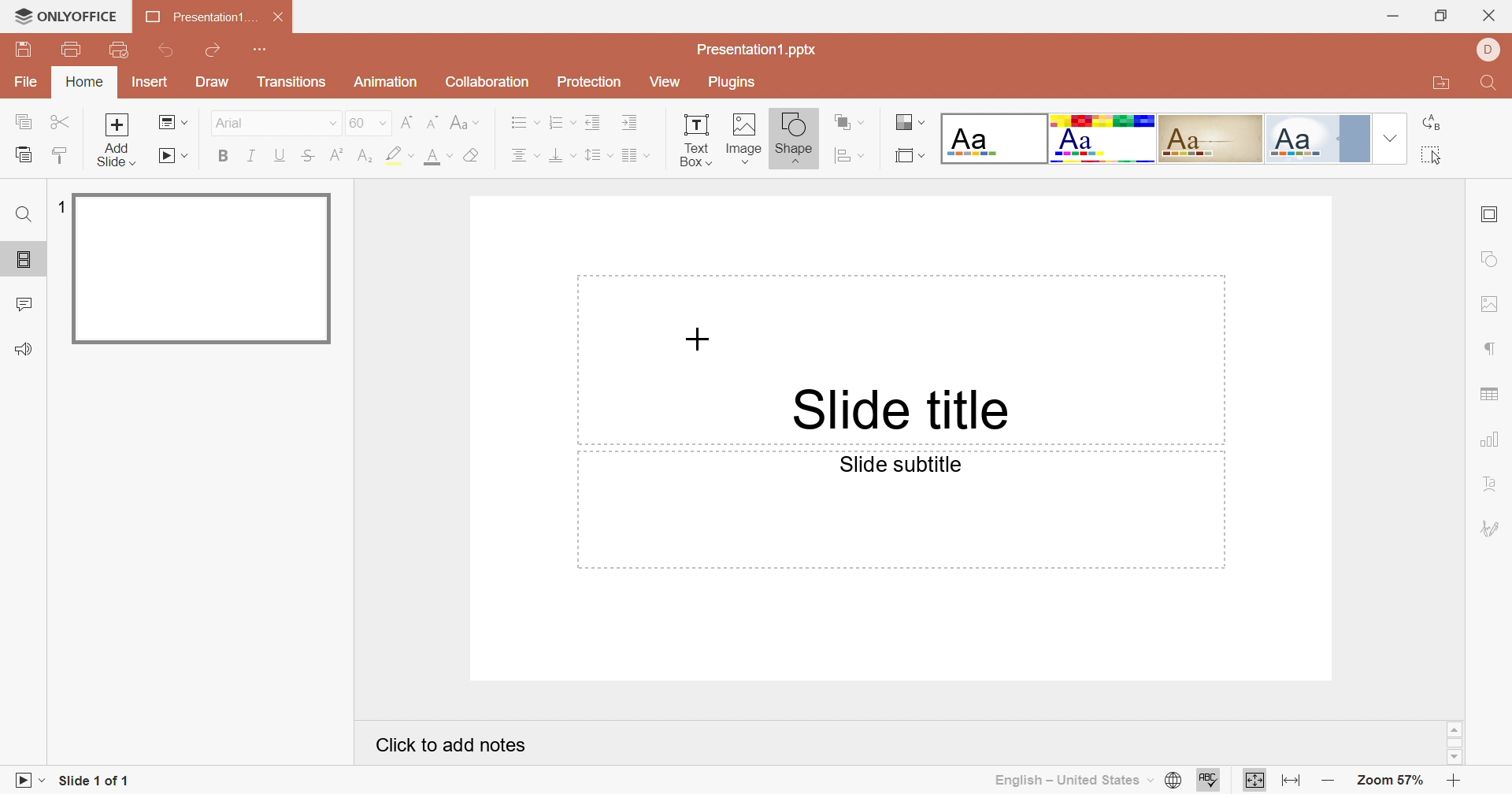 This screenshot has height=794, width=1512. I want to click on Restore down, so click(1443, 17).